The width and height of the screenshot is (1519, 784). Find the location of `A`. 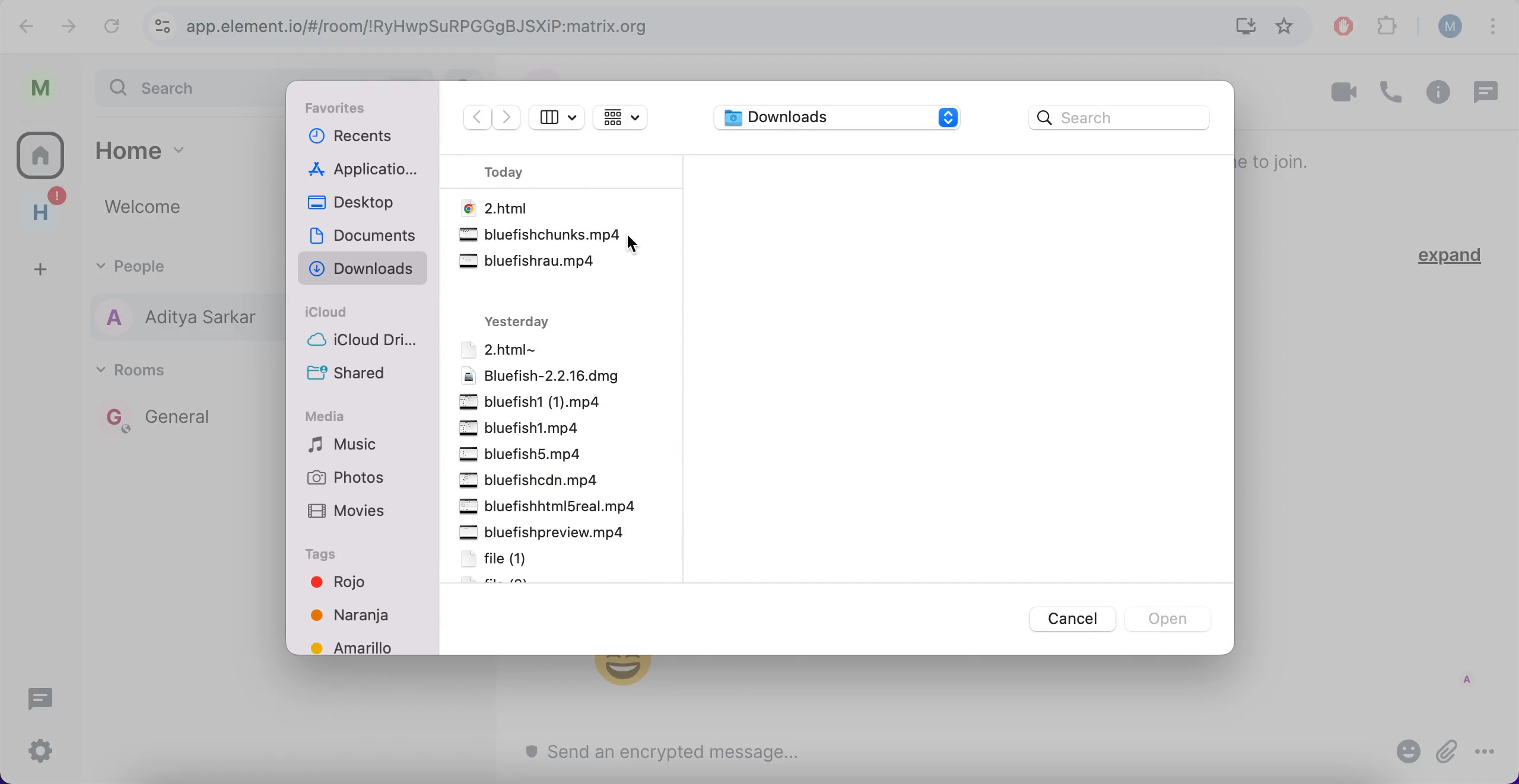

A is located at coordinates (1466, 680).